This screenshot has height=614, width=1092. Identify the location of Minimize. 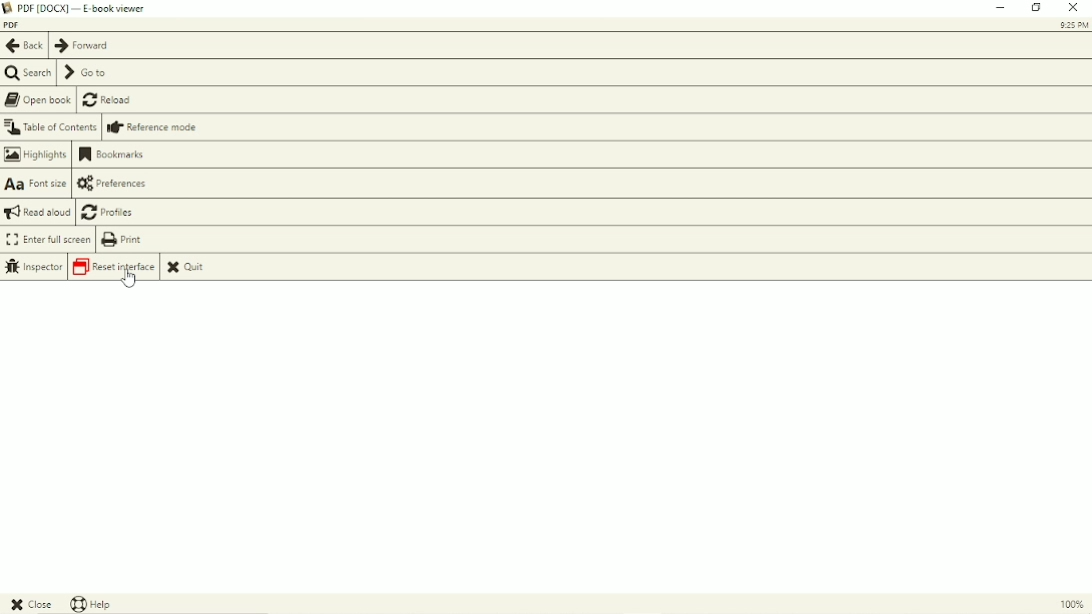
(998, 8).